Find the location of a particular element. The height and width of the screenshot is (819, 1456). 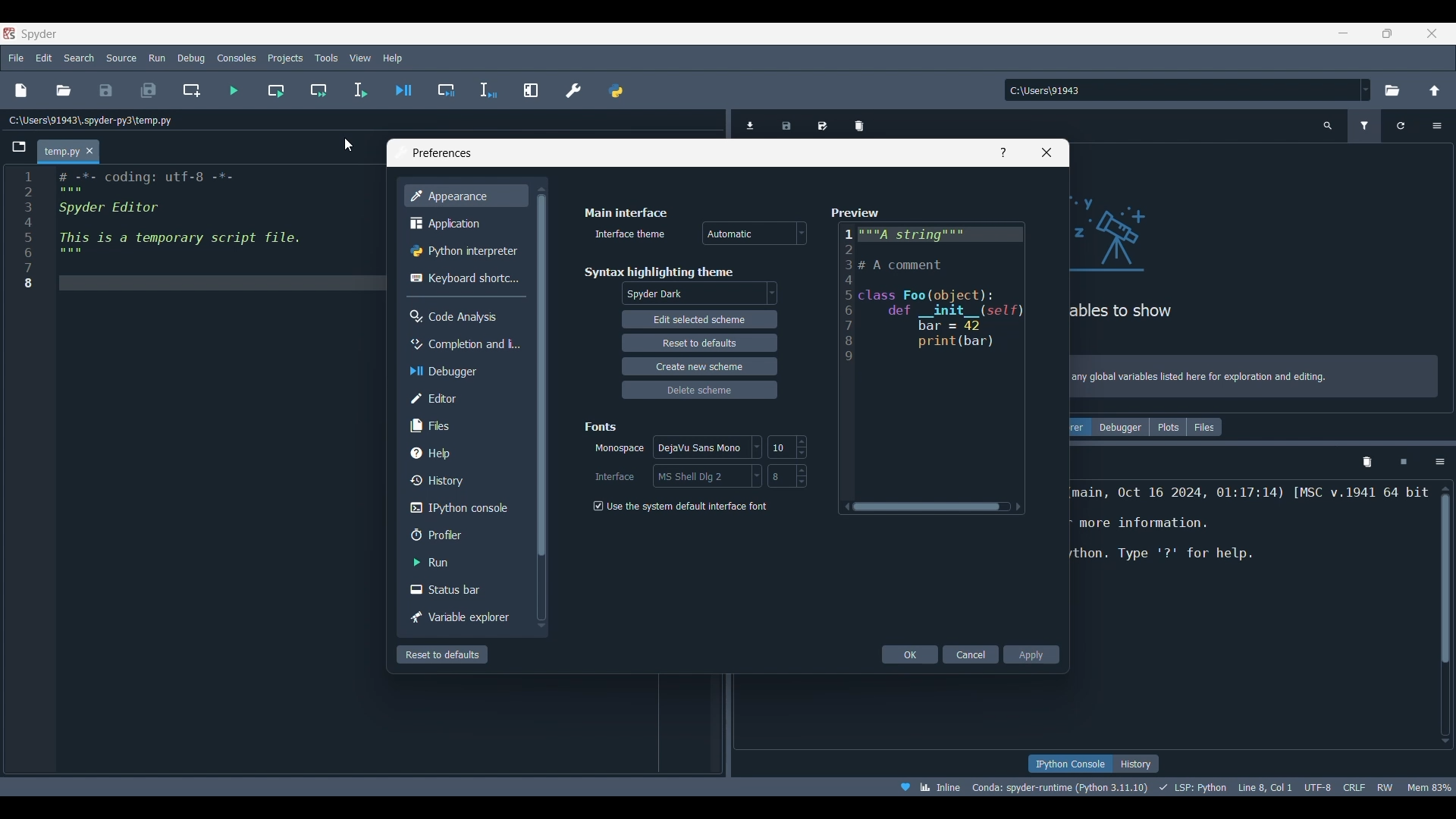

Debug selection or current line is located at coordinates (488, 90).